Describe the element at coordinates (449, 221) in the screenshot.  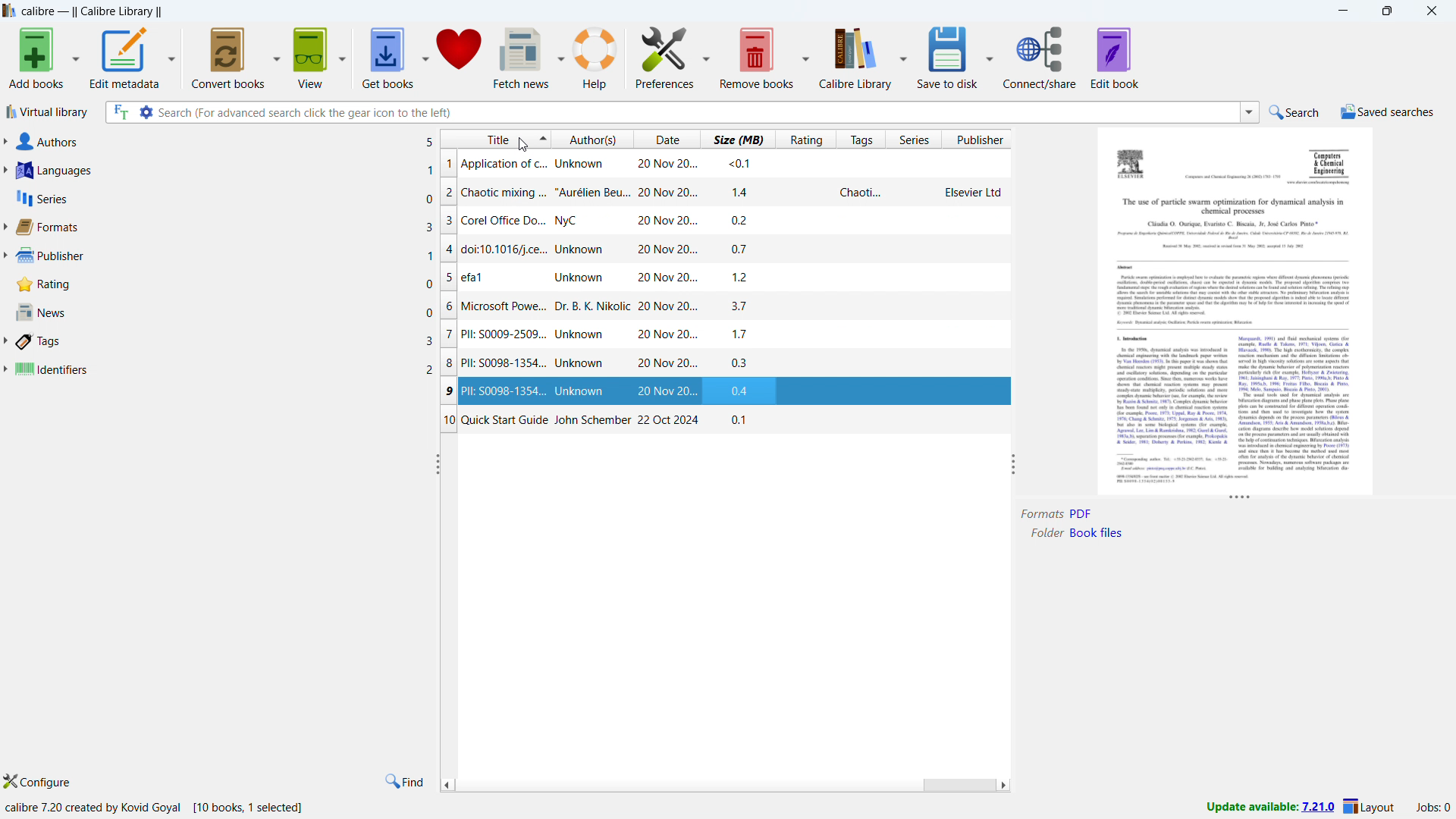
I see `3` at that location.